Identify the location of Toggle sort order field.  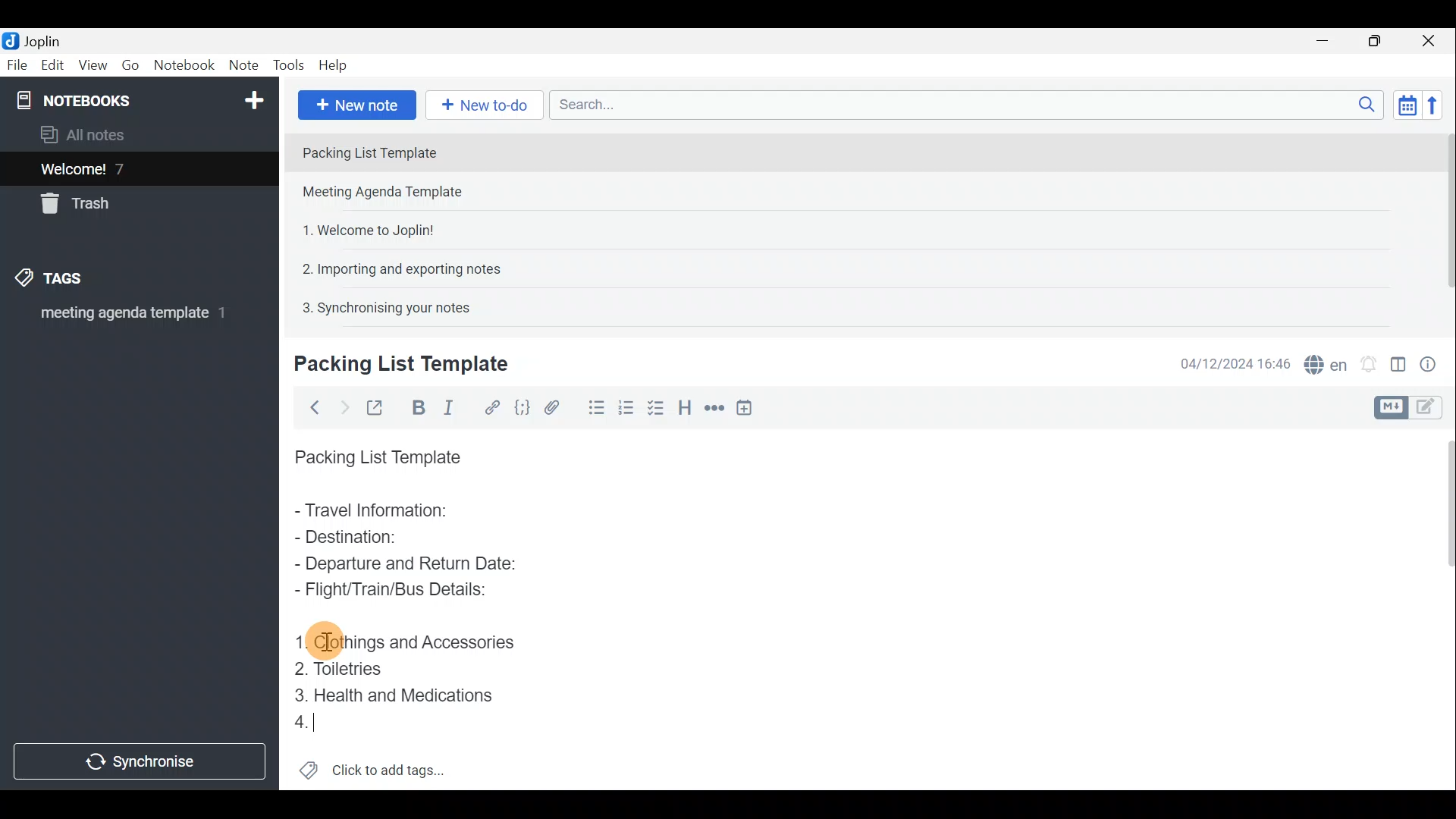
(1402, 105).